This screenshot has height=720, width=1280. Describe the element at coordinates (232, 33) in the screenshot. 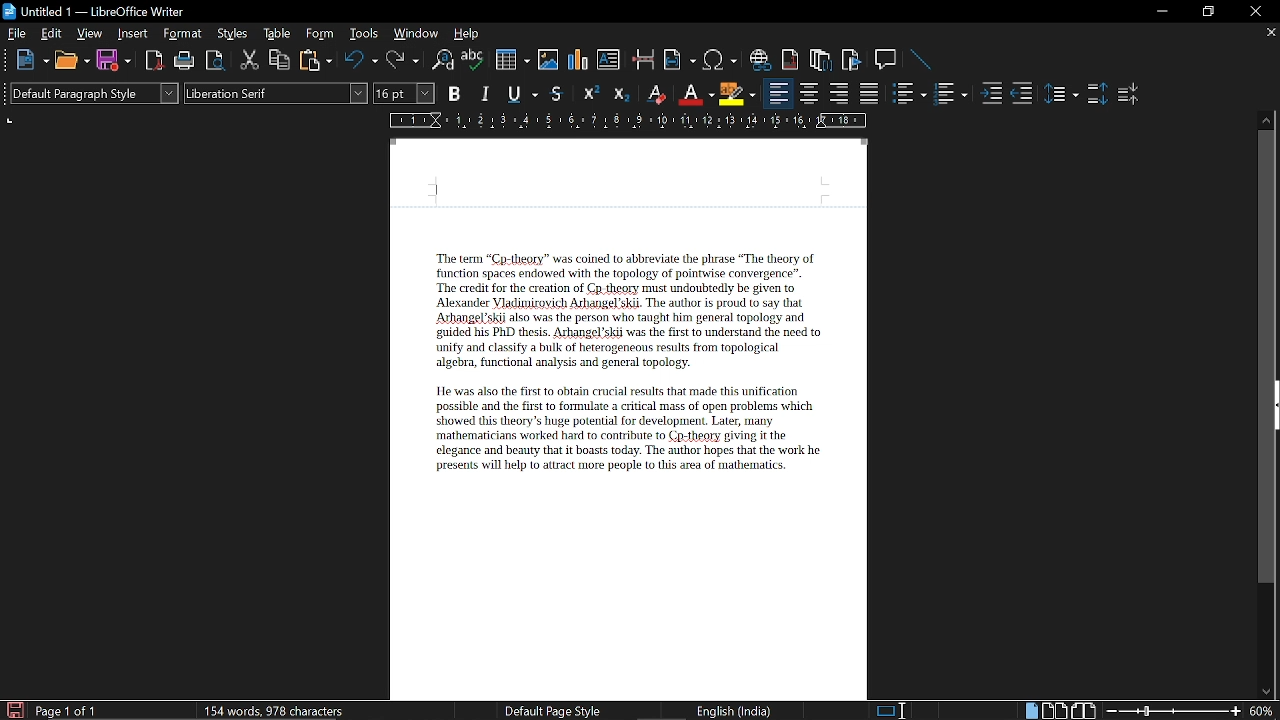

I see `Styles` at that location.